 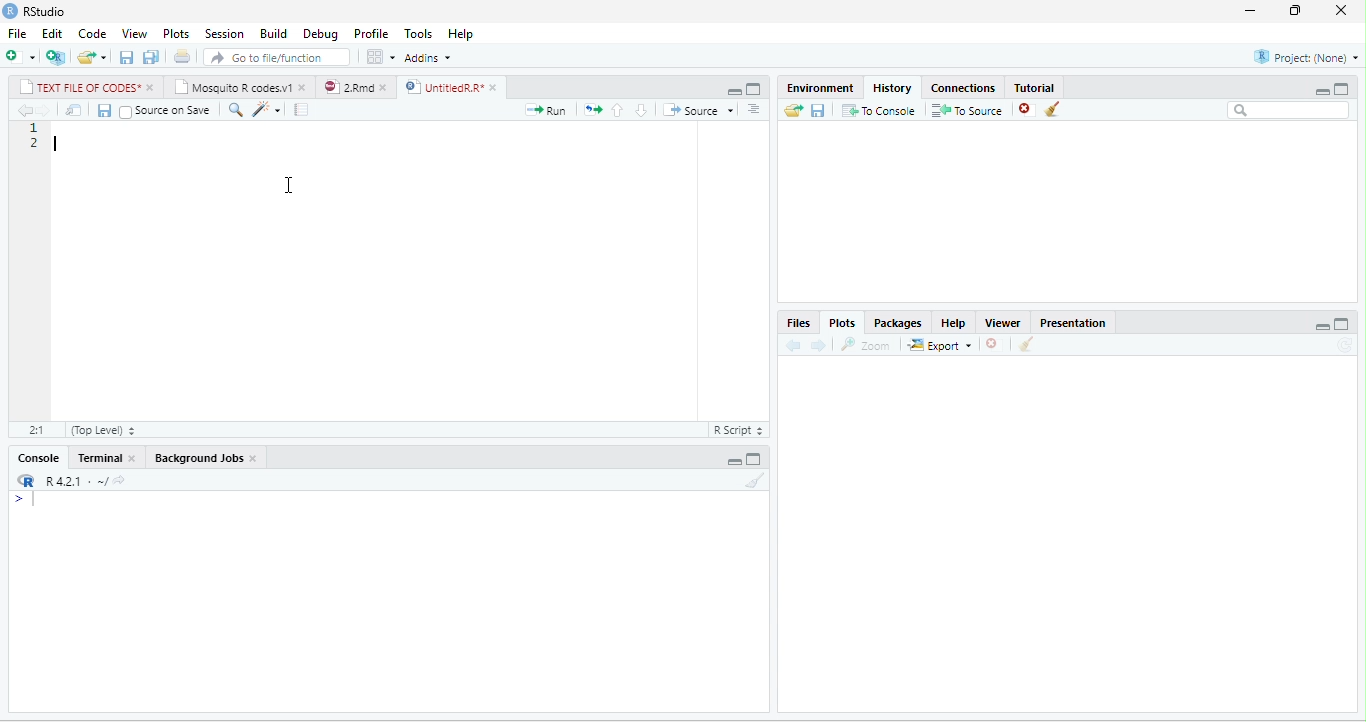 What do you see at coordinates (1341, 89) in the screenshot?
I see `maximize` at bounding box center [1341, 89].